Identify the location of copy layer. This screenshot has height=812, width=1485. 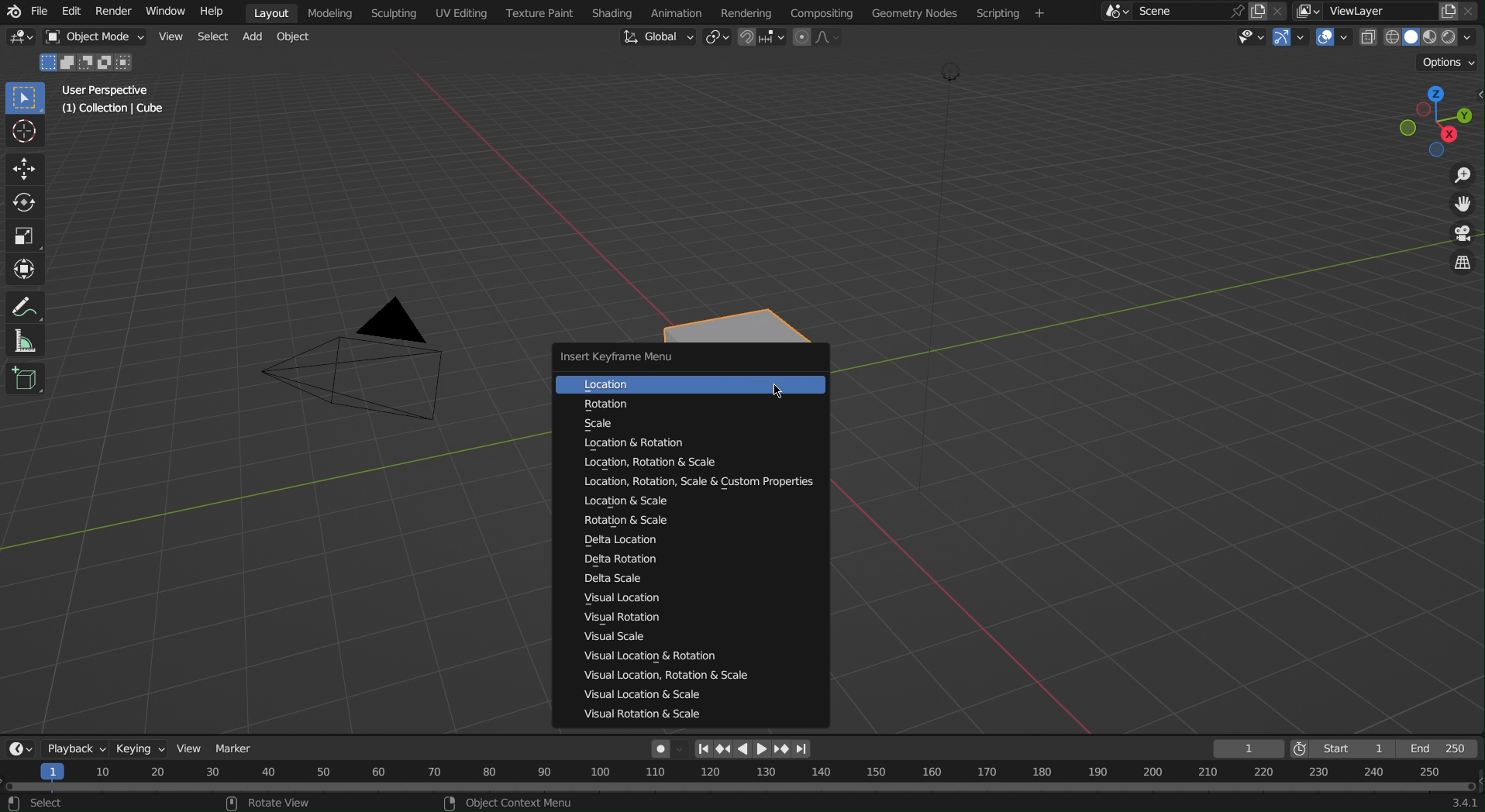
(1443, 10).